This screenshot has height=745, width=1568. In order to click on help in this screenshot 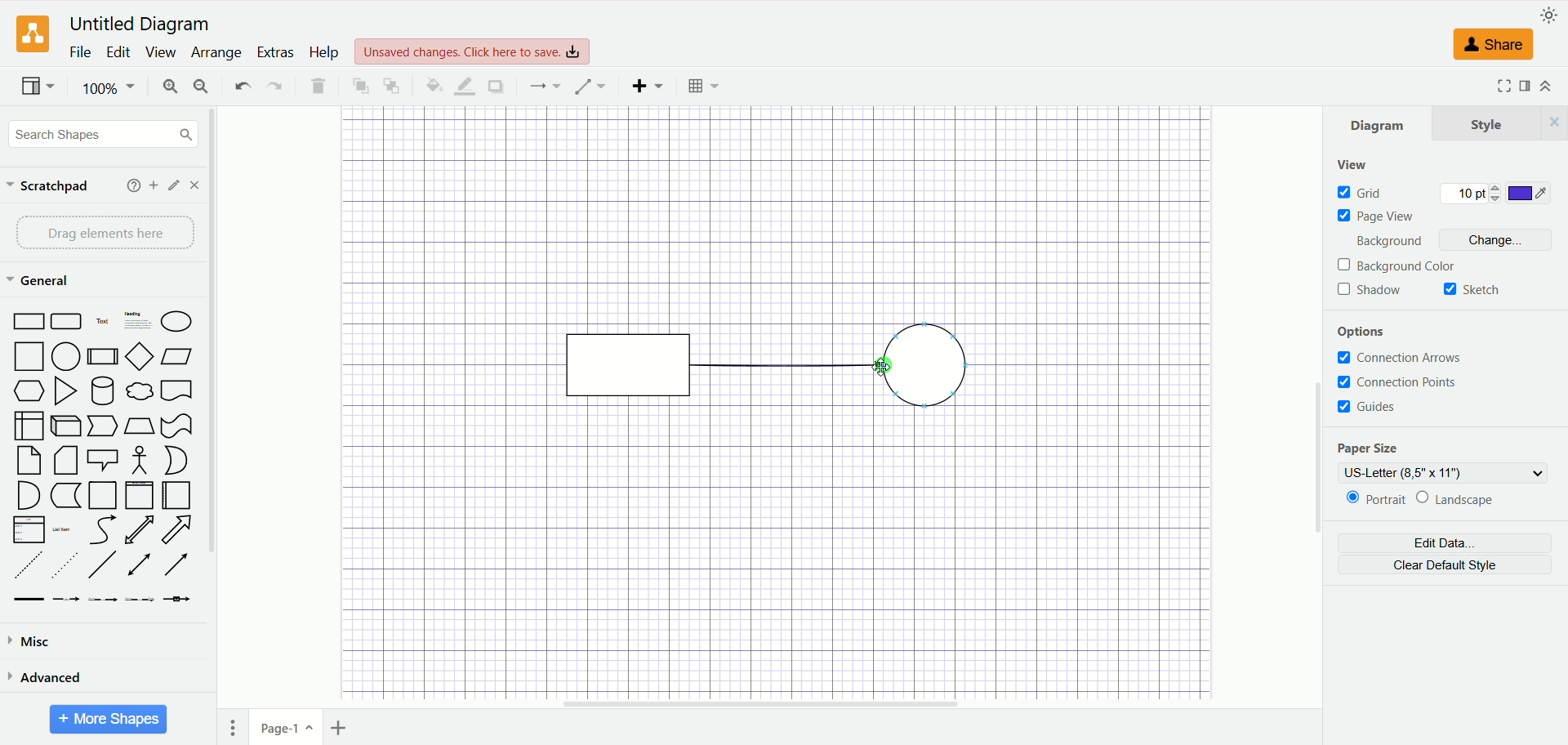, I will do `click(131, 185)`.